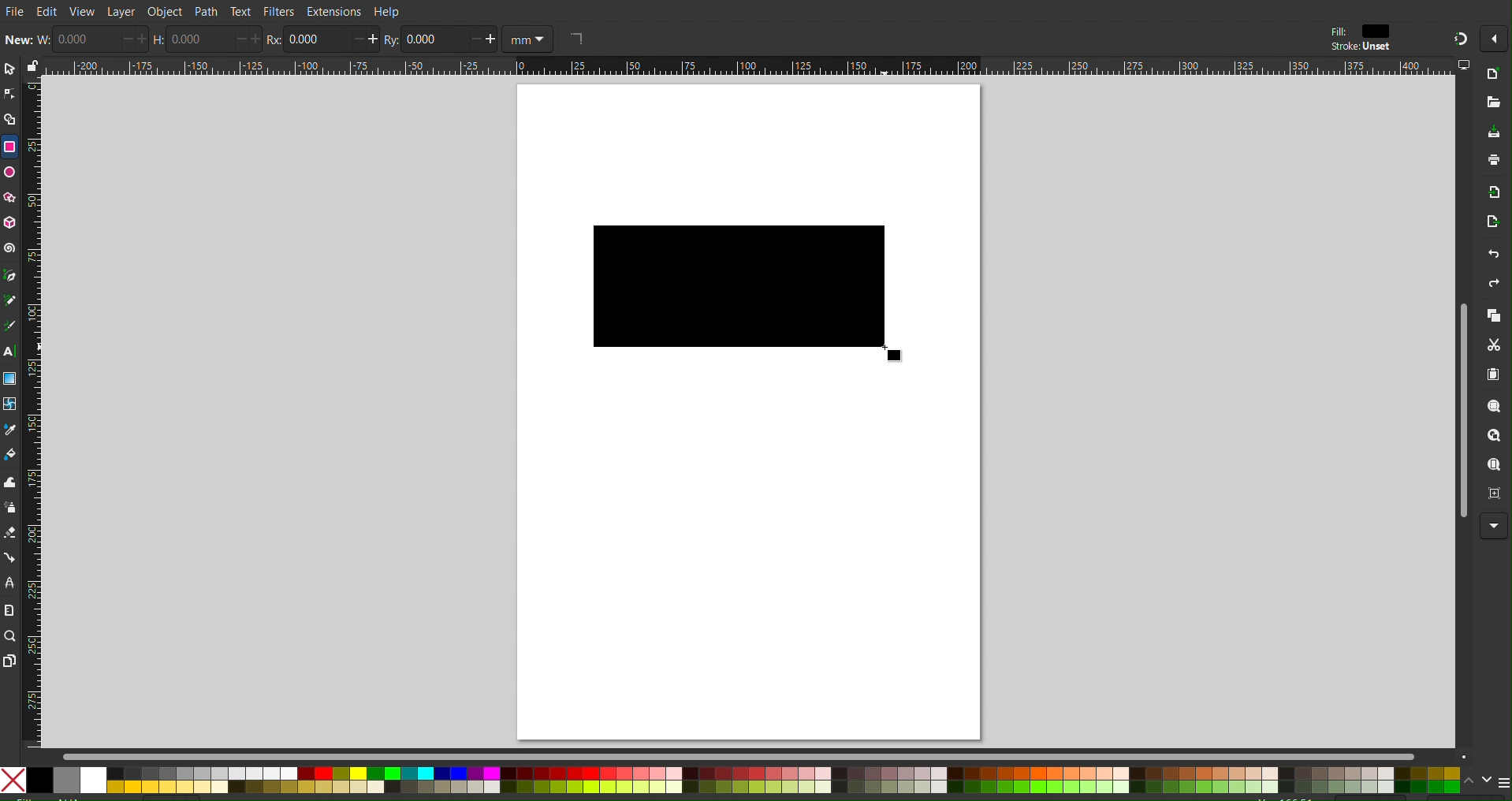 This screenshot has width=1512, height=801. Describe the element at coordinates (1490, 132) in the screenshot. I see `Save` at that location.